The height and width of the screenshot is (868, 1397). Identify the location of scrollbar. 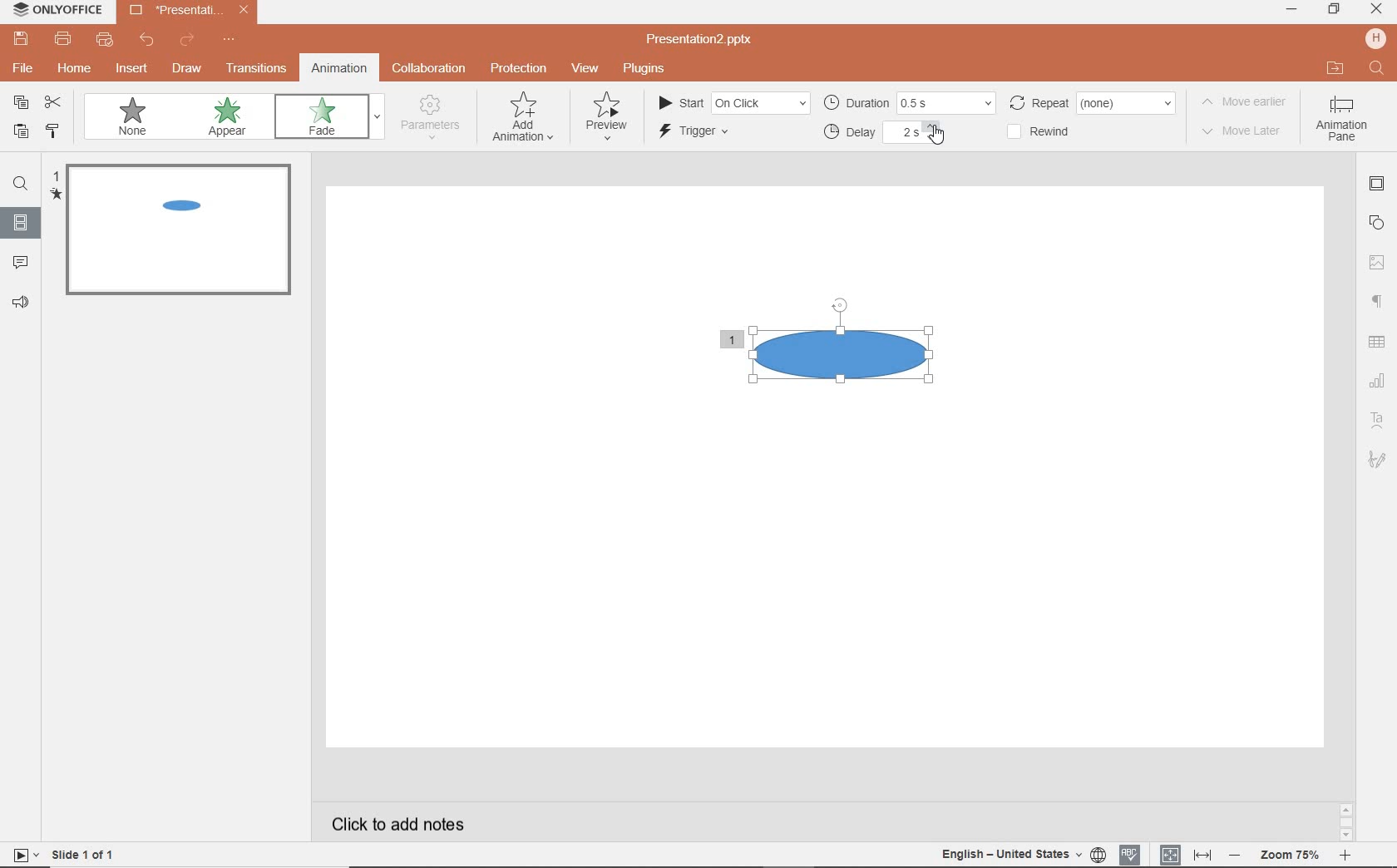
(1345, 822).